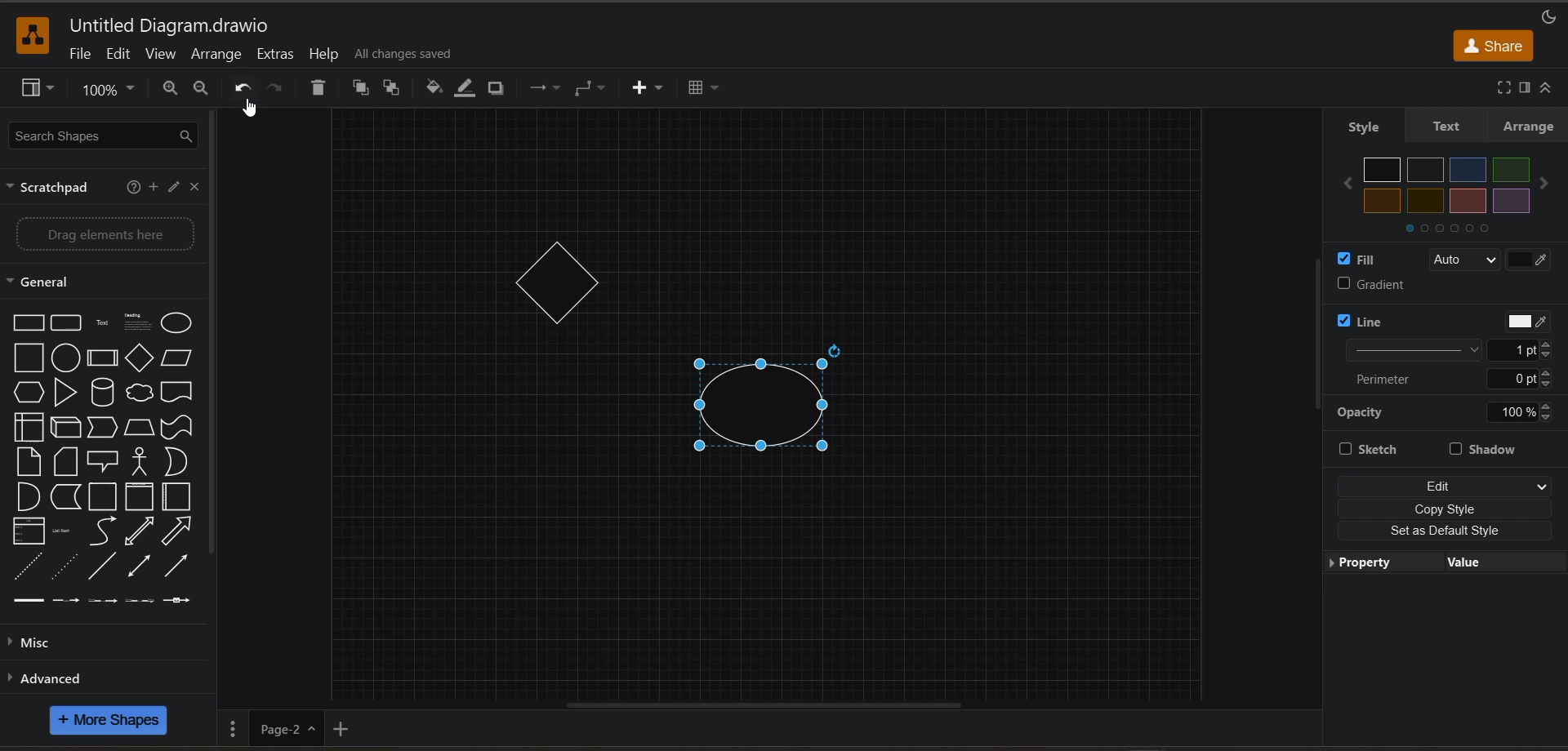  I want to click on circle, so click(772, 405).